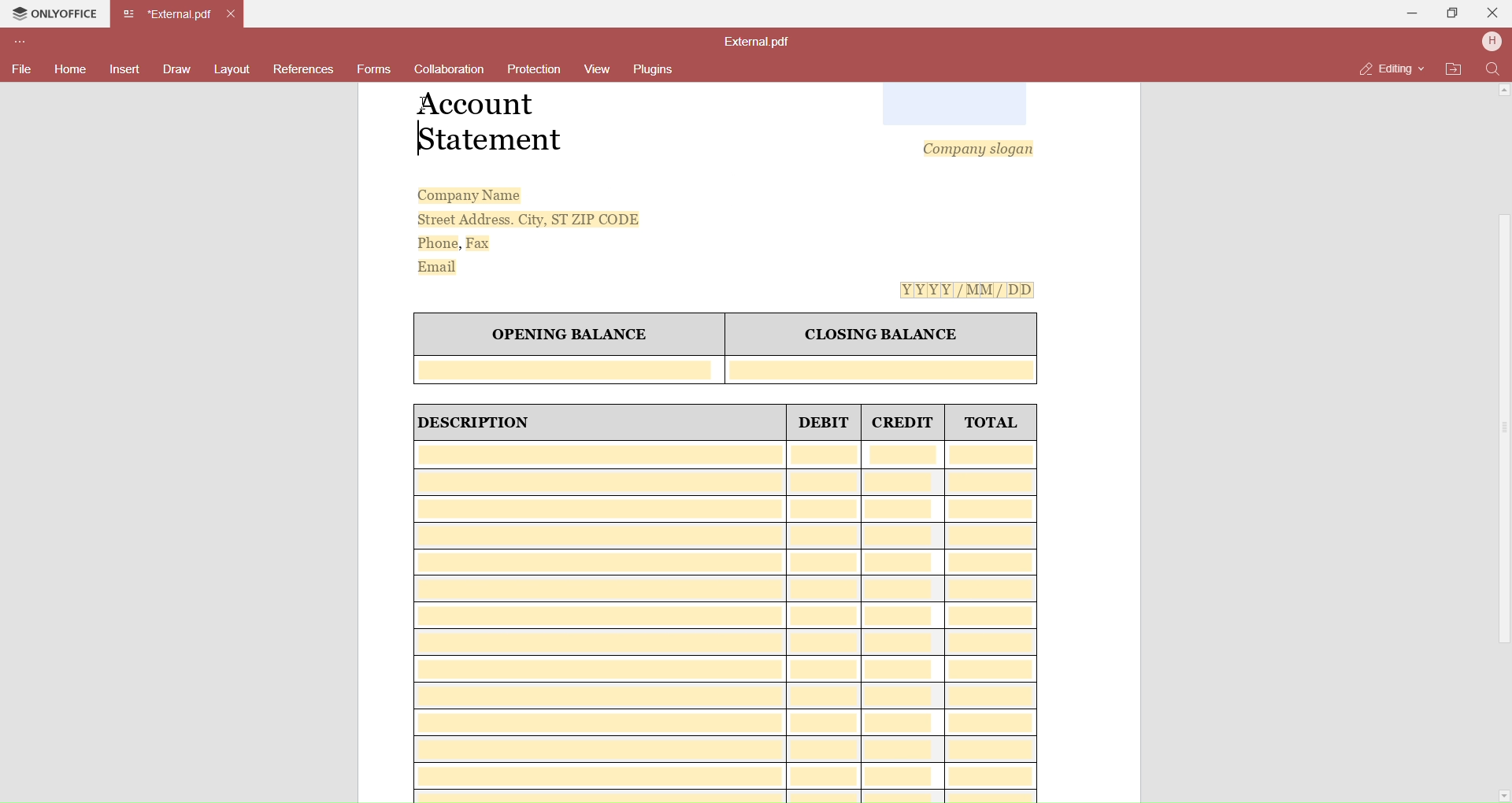 Image resolution: width=1512 pixels, height=803 pixels. What do you see at coordinates (1390, 69) in the screenshot?
I see `Editing` at bounding box center [1390, 69].